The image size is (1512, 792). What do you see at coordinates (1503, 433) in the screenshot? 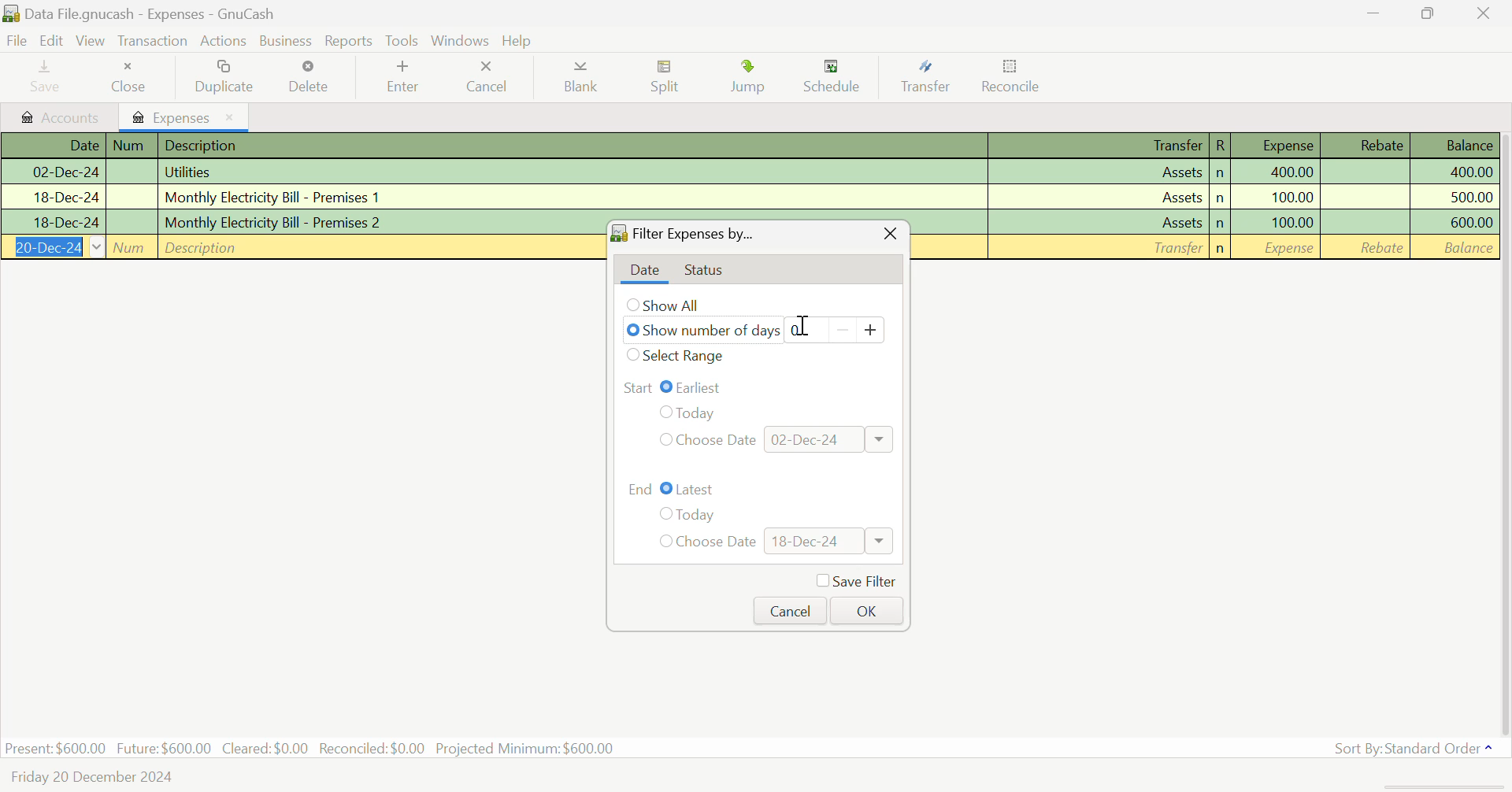
I see `Scroll Bar` at bounding box center [1503, 433].